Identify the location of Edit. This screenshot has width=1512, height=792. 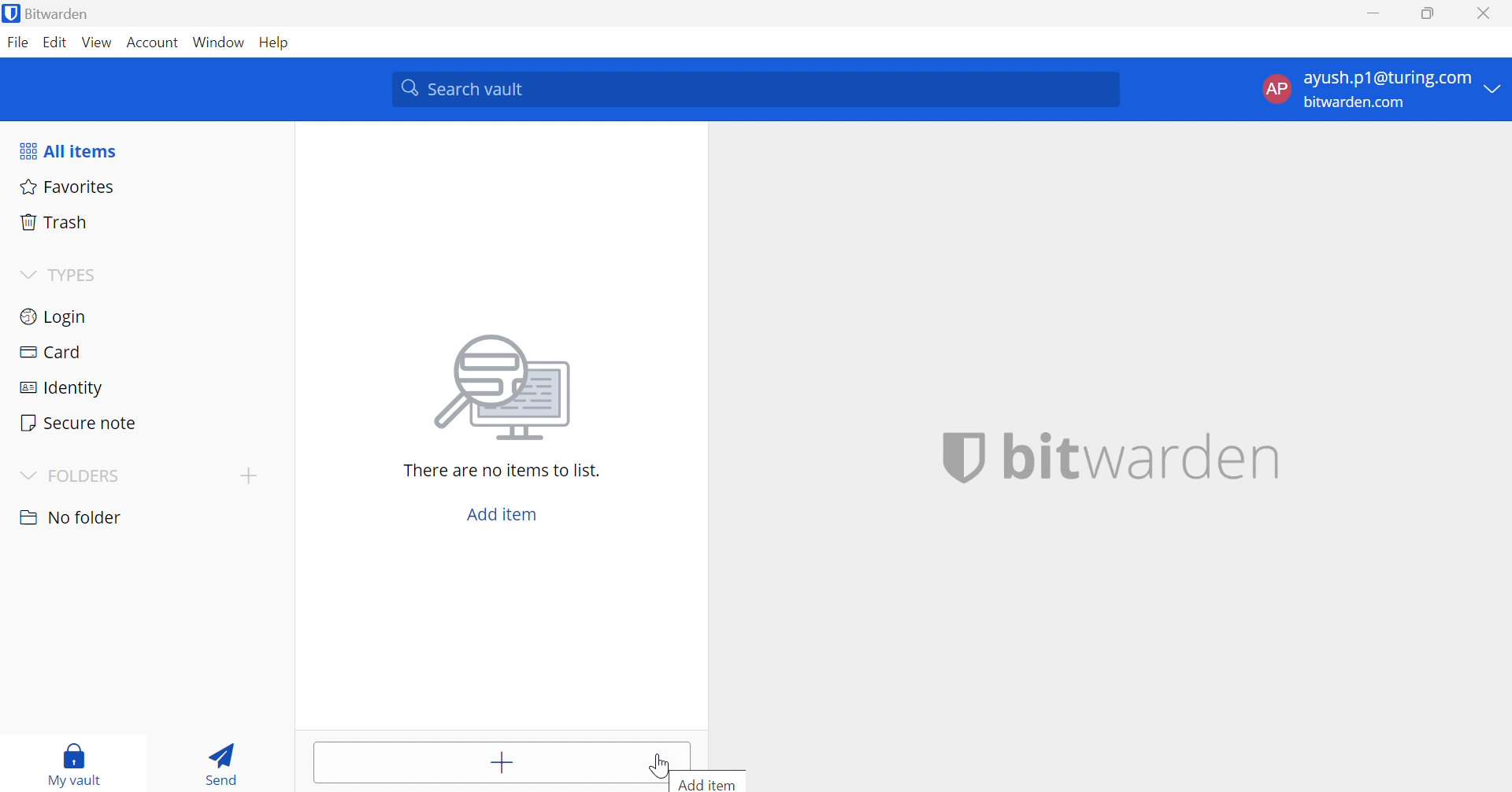
(57, 43).